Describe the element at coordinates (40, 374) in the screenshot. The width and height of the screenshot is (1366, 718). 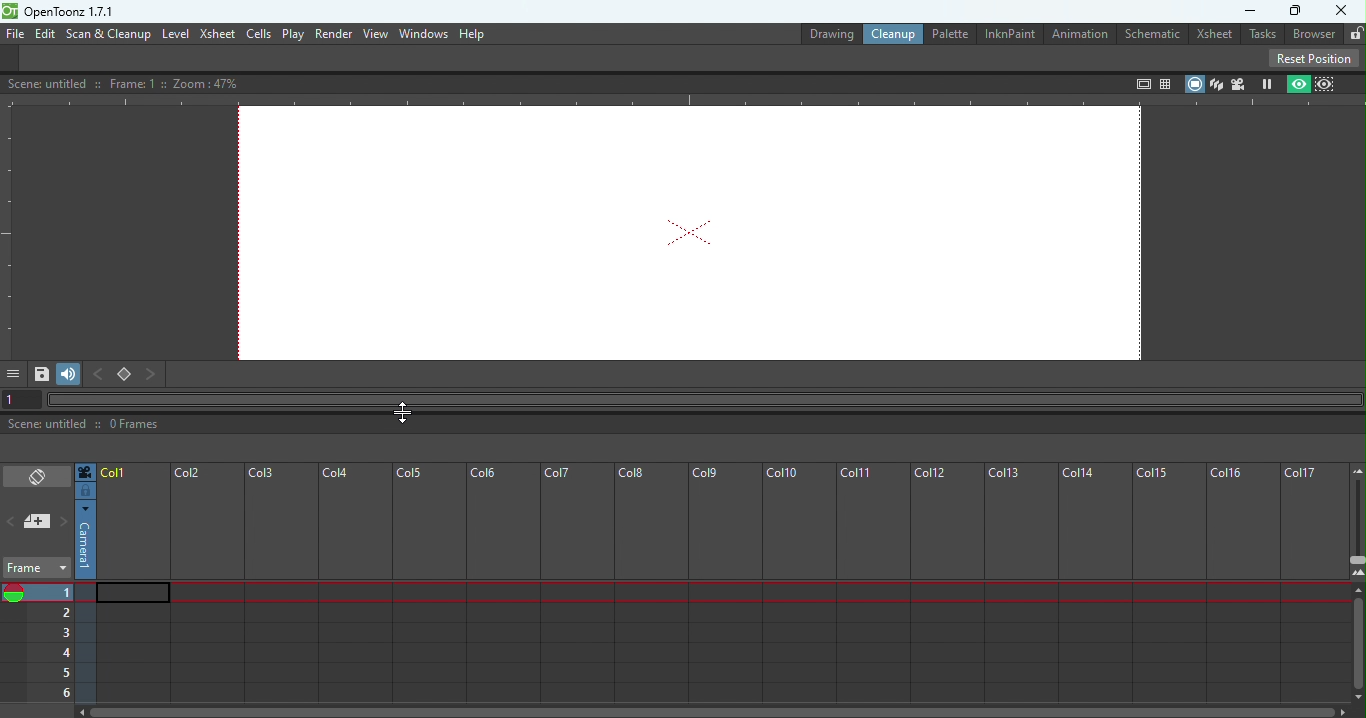
I see `Save Image` at that location.